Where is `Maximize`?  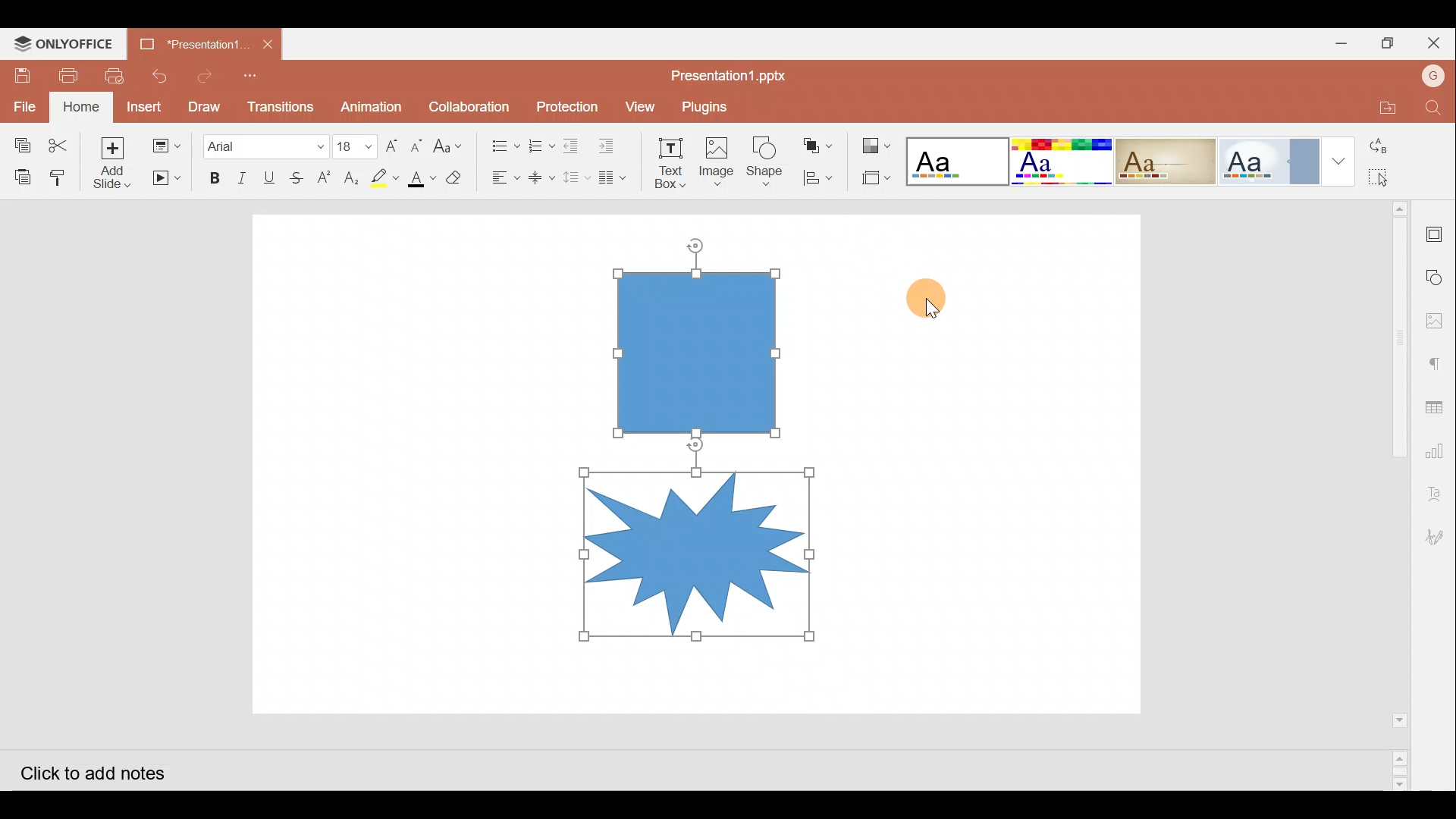
Maximize is located at coordinates (1392, 42).